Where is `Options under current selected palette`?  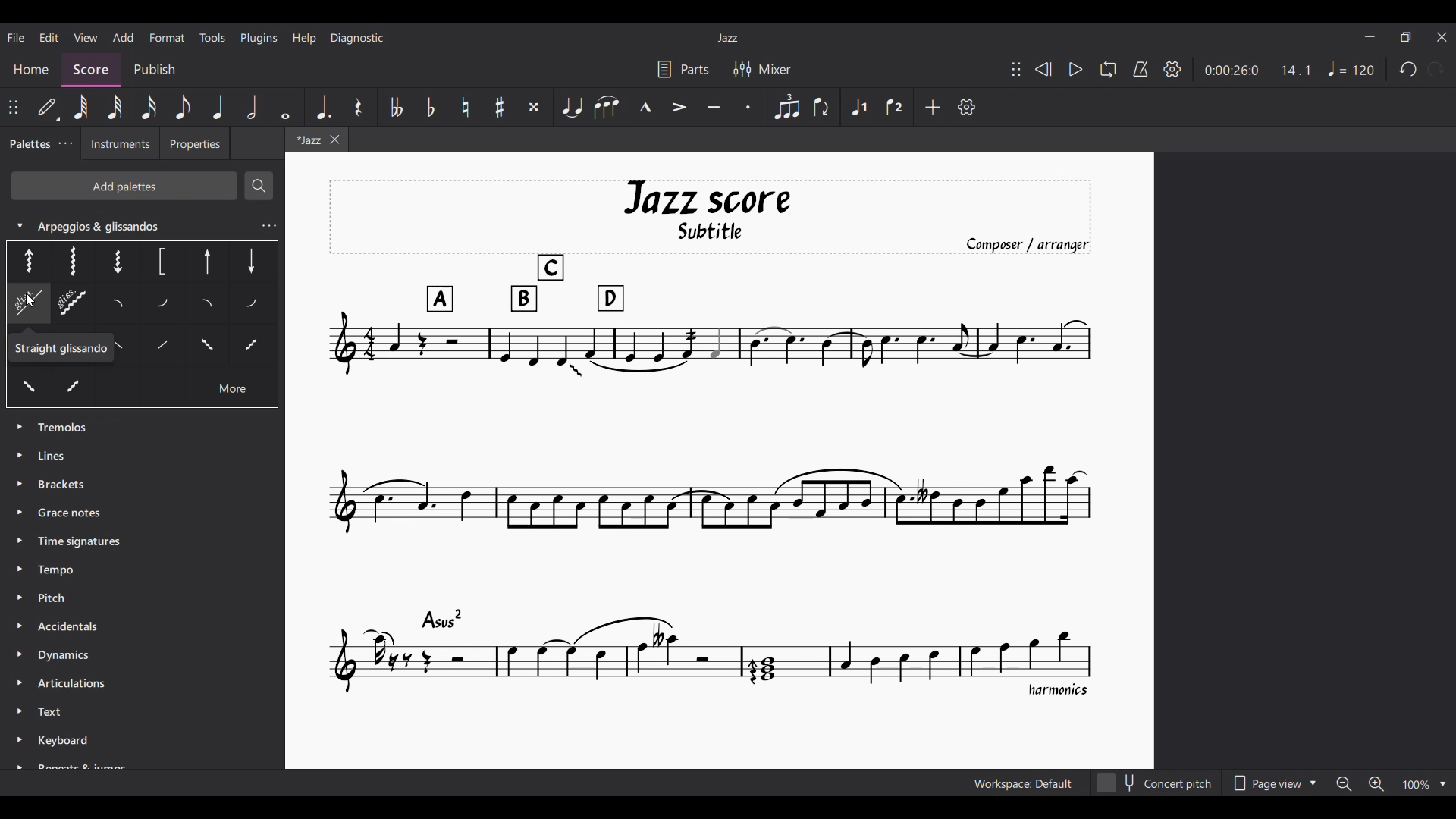
Options under current selected palette is located at coordinates (24, 260).